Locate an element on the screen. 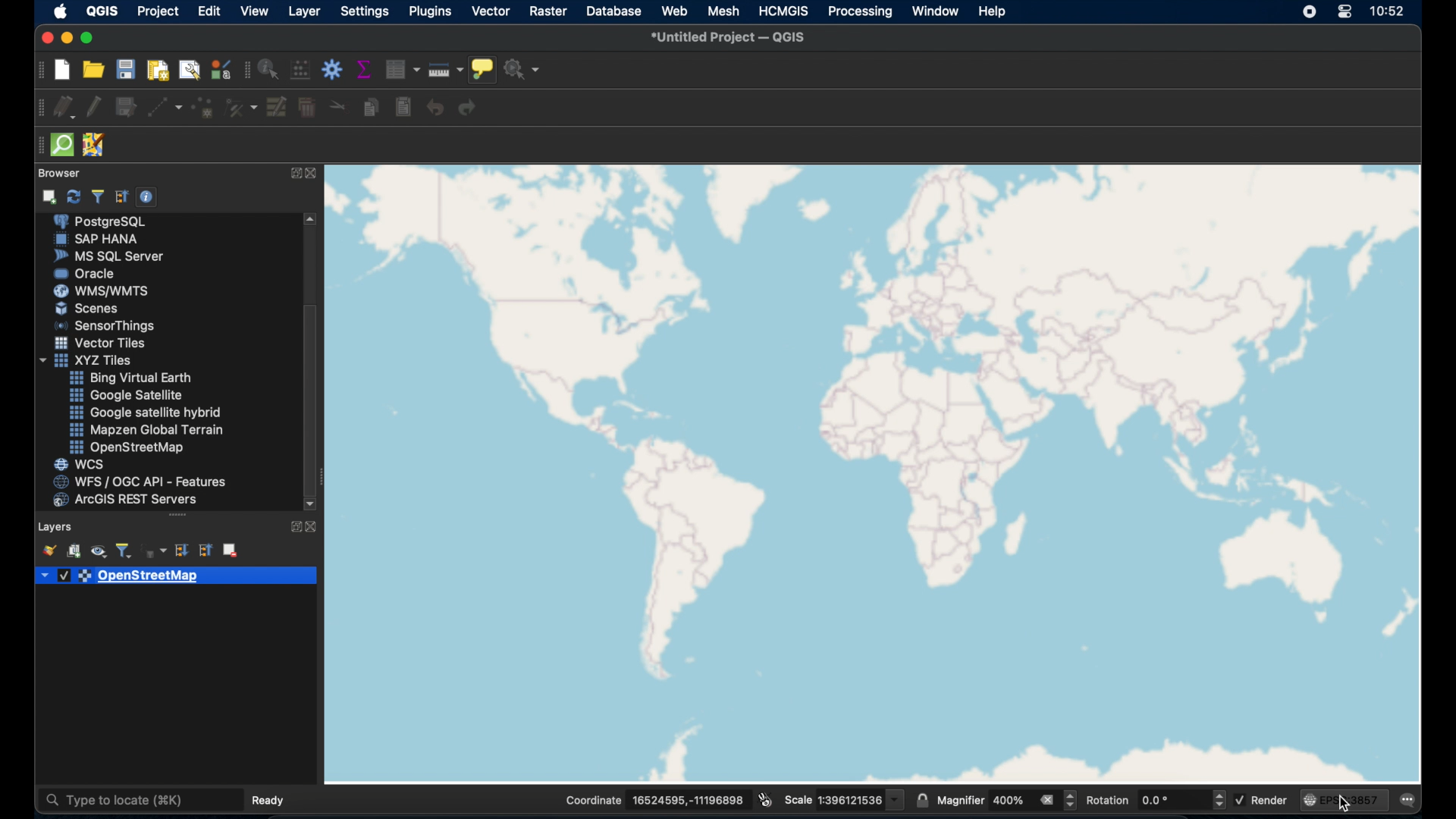 This screenshot has width=1456, height=819. remove layer group is located at coordinates (230, 552).